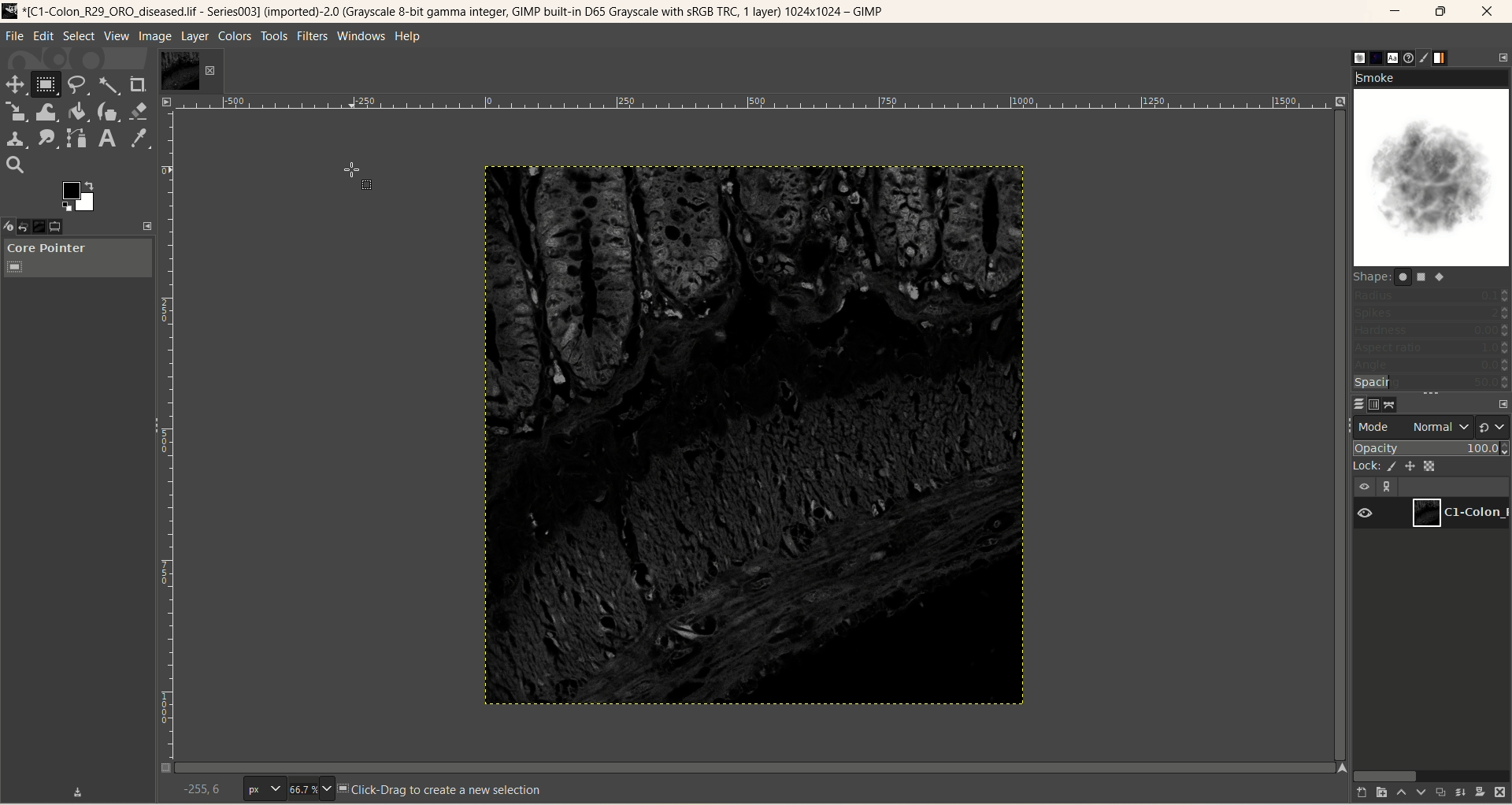 Image resolution: width=1512 pixels, height=805 pixels. What do you see at coordinates (758, 441) in the screenshot?
I see `image` at bounding box center [758, 441].